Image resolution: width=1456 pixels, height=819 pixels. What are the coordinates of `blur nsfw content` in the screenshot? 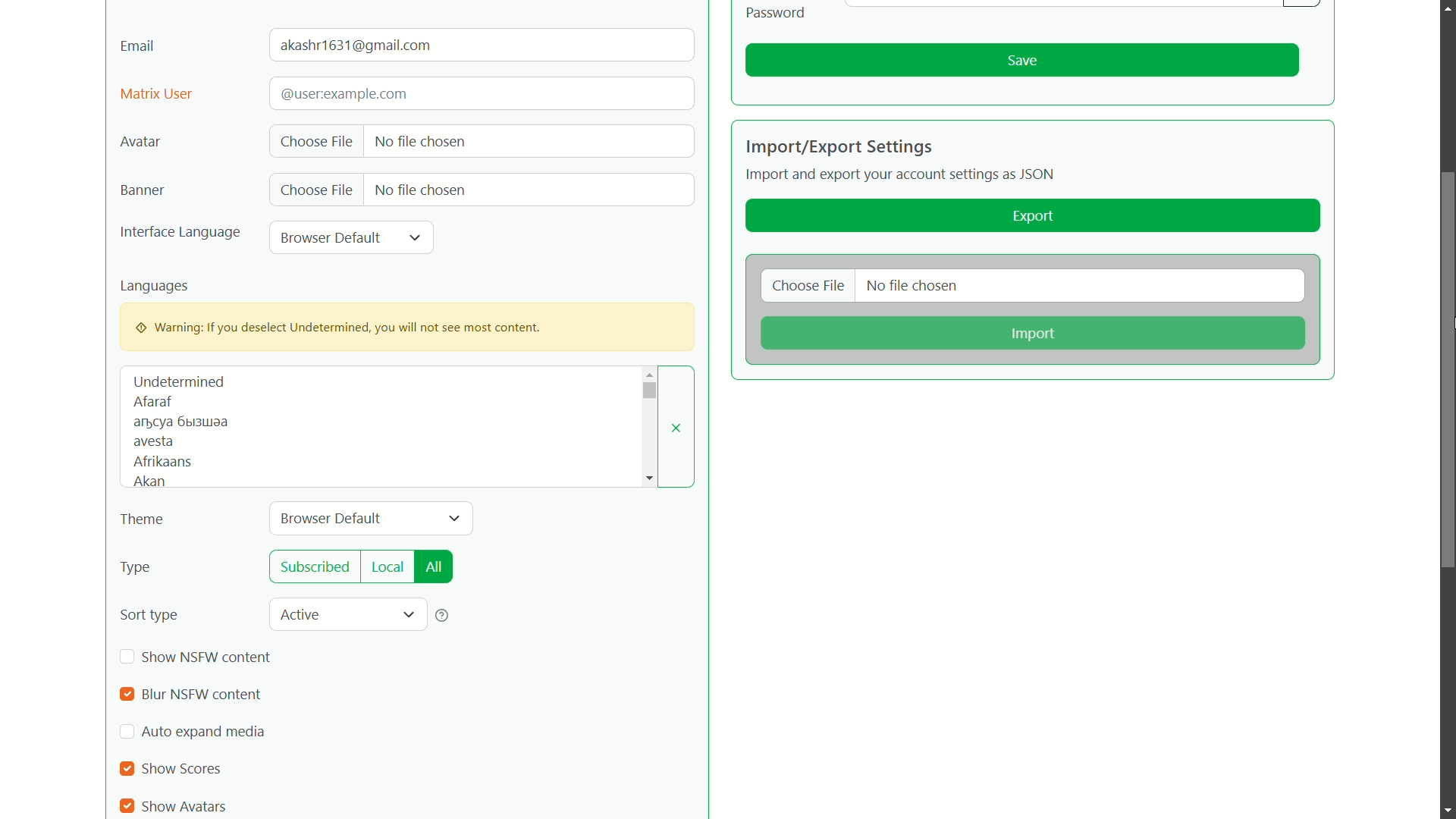 It's located at (199, 695).